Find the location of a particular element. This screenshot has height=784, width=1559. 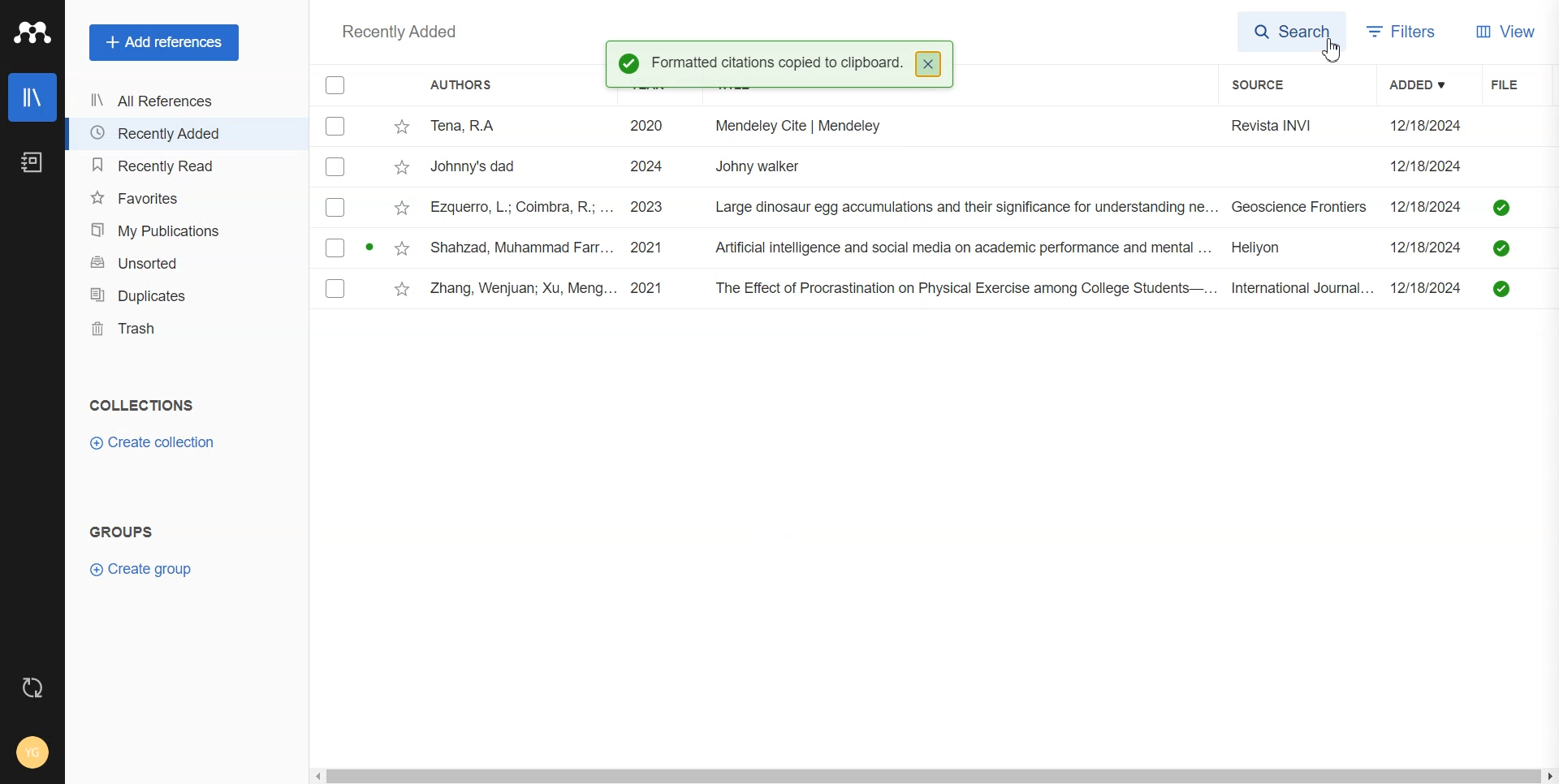

saved is located at coordinates (1502, 207).